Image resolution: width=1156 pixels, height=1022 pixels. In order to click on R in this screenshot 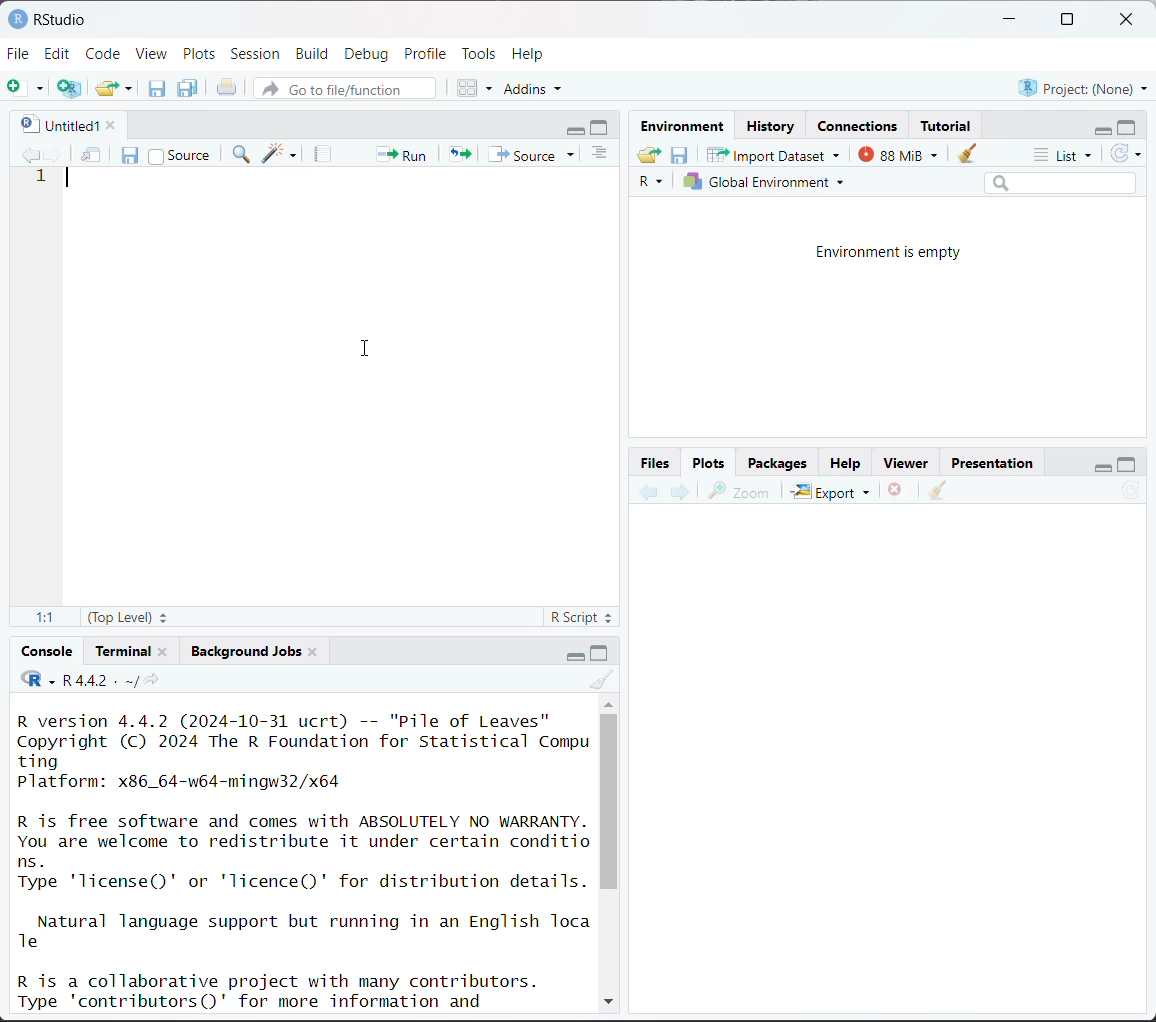, I will do `click(654, 183)`.